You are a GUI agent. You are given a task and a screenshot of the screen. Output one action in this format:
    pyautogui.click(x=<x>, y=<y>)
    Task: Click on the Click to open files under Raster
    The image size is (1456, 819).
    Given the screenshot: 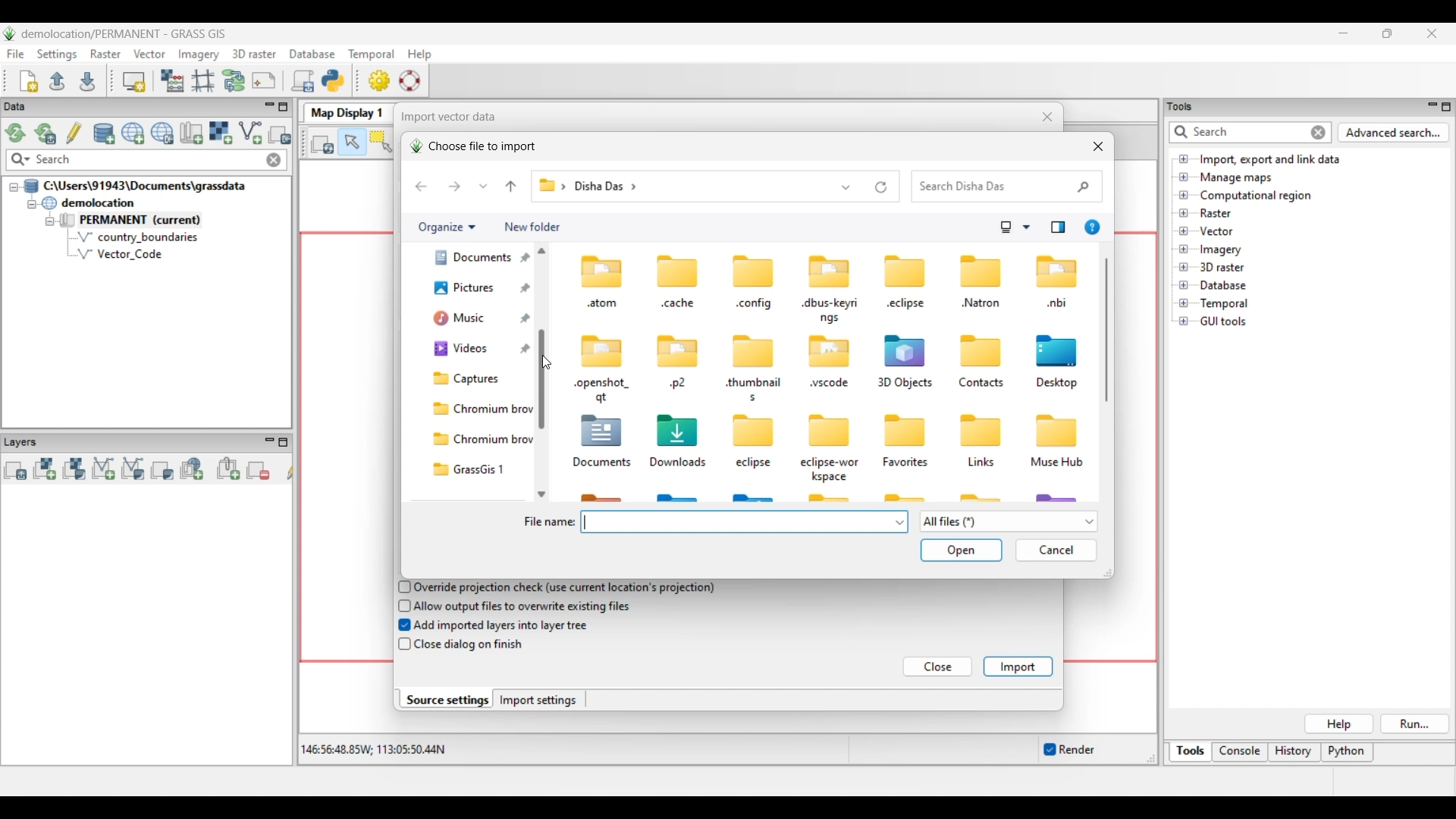 What is the action you would take?
    pyautogui.click(x=1184, y=212)
    